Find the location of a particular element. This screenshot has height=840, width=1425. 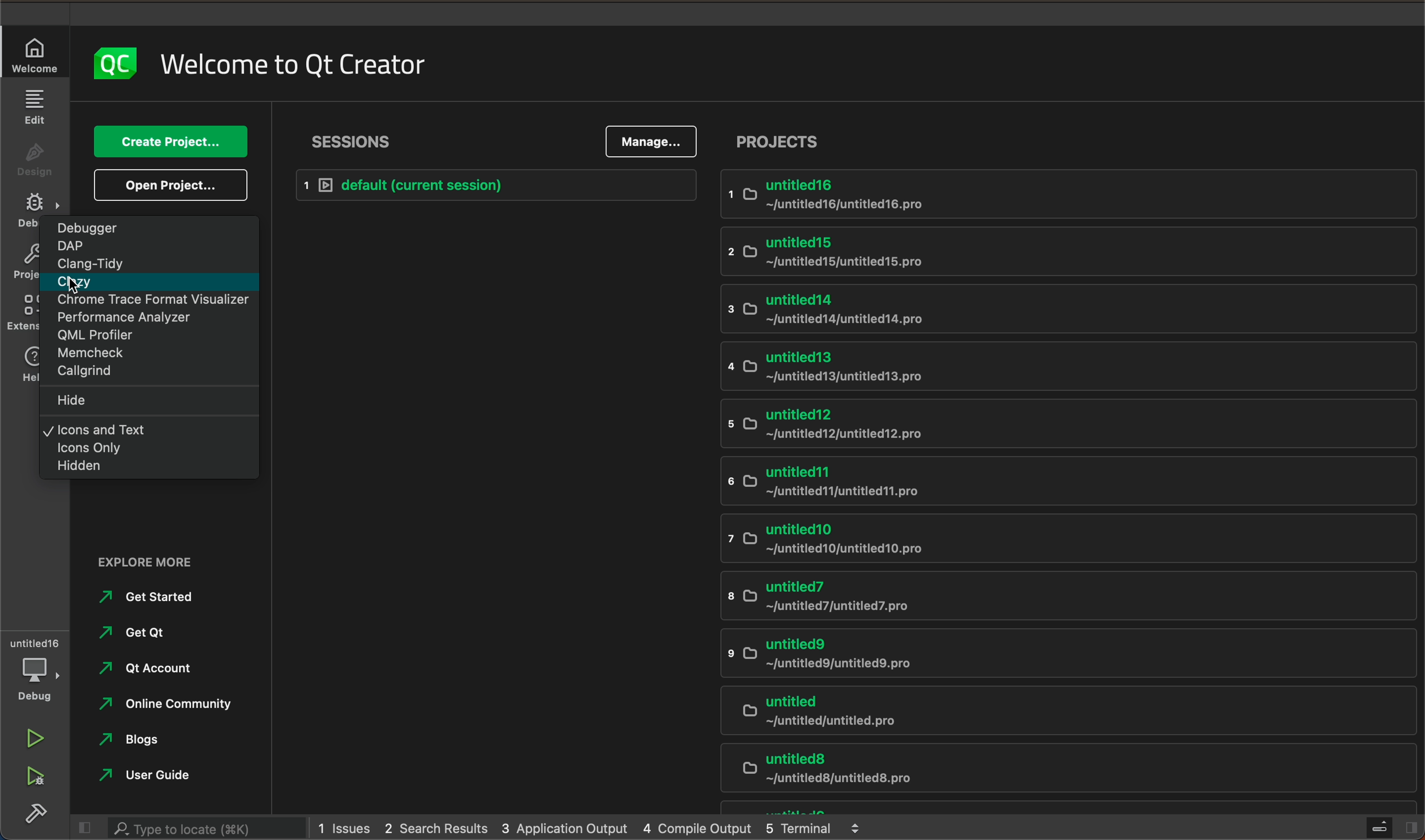

icons only is located at coordinates (146, 447).